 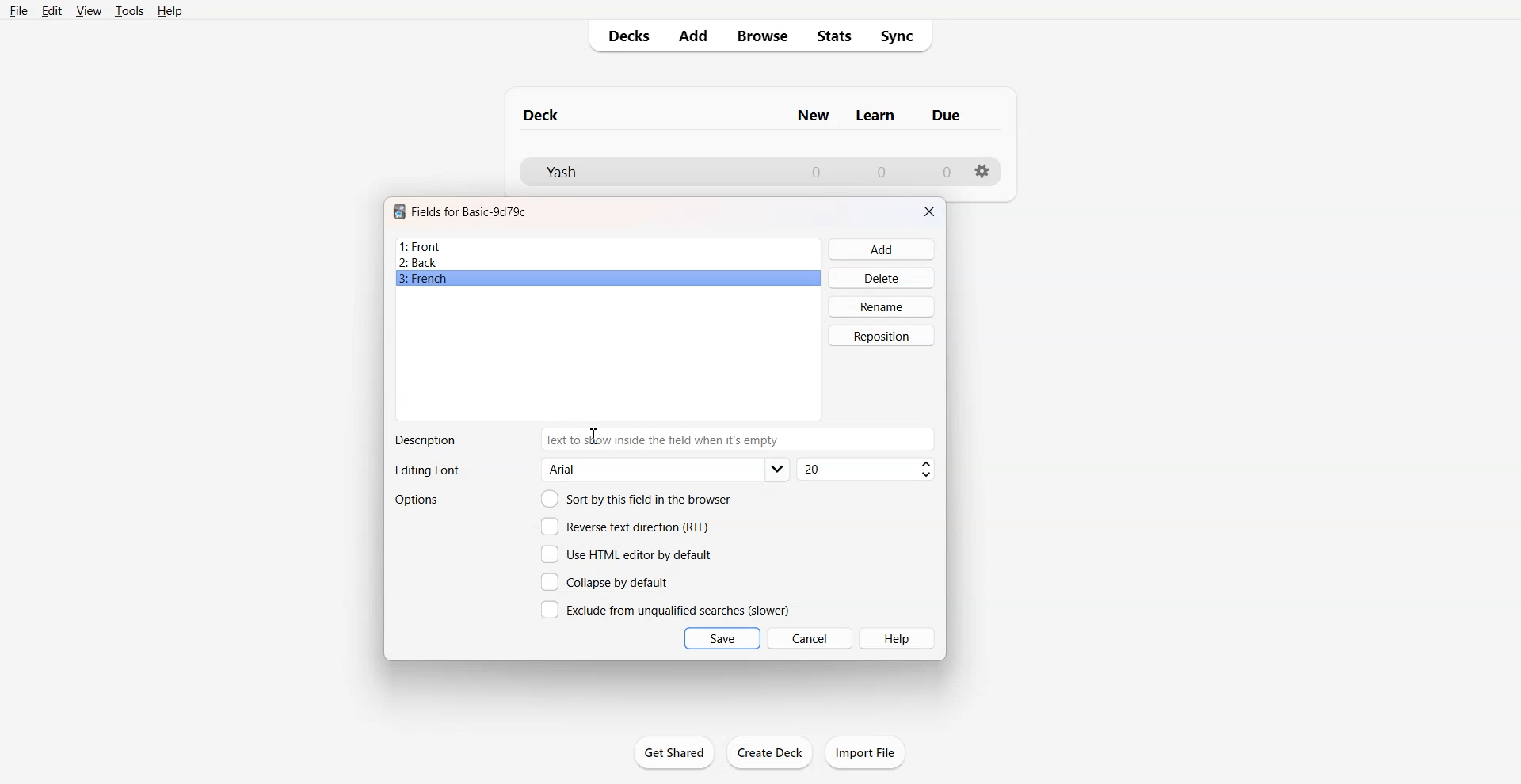 I want to click on Edit, so click(x=51, y=11).